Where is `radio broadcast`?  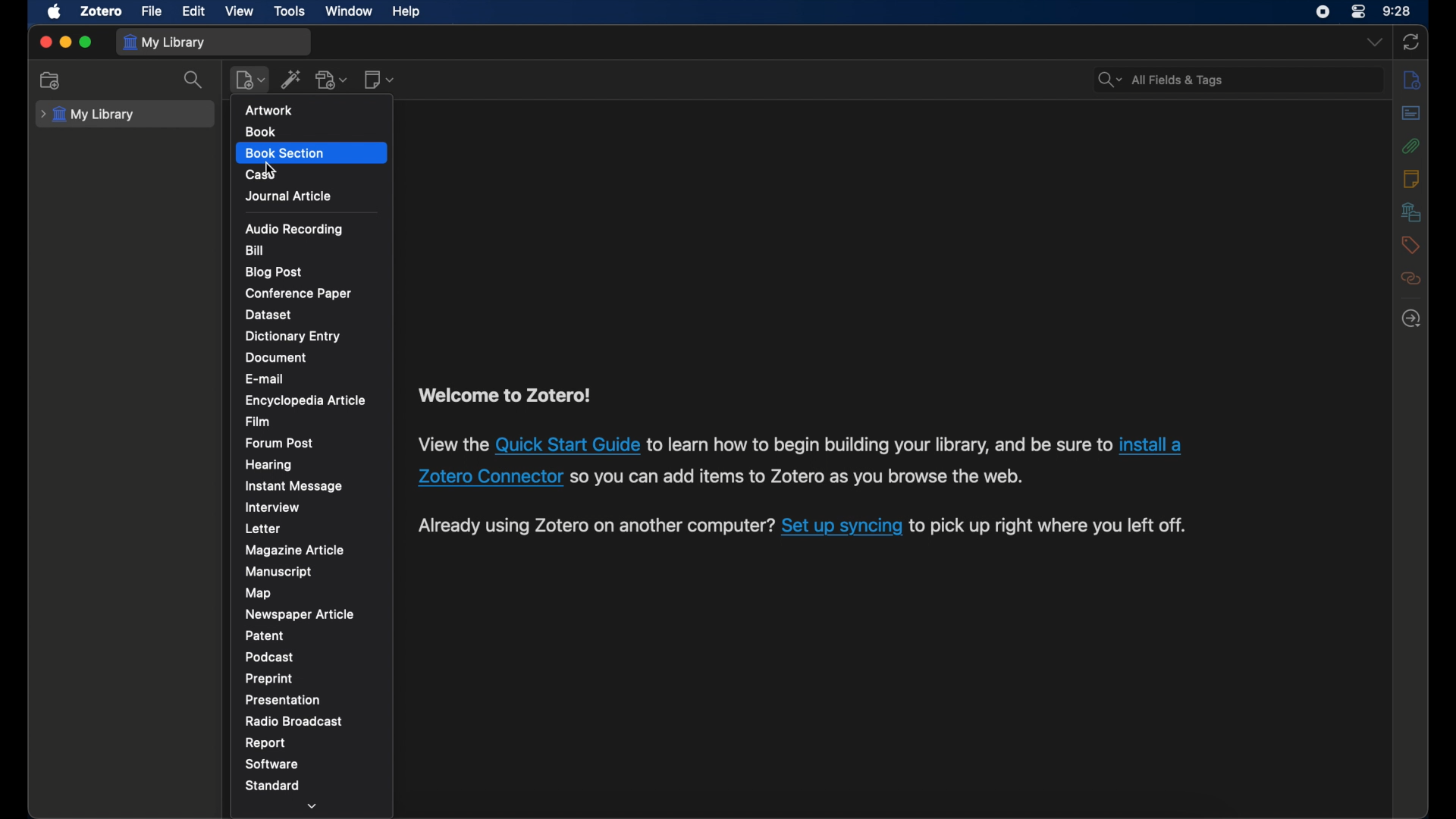 radio broadcast is located at coordinates (295, 722).